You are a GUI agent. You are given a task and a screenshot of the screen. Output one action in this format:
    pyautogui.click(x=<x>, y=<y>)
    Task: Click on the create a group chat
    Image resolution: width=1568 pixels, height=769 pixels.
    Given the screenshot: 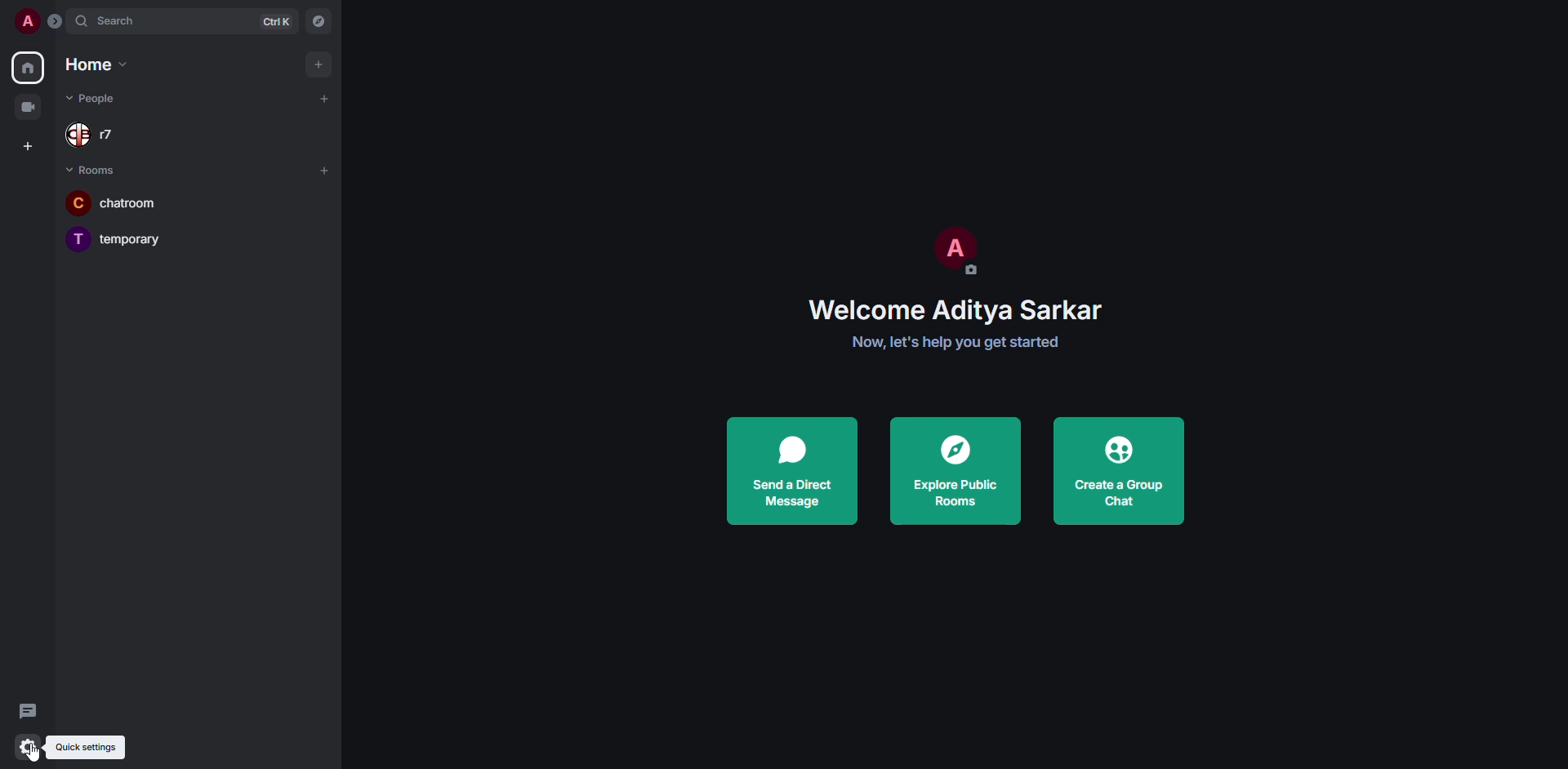 What is the action you would take?
    pyautogui.click(x=1119, y=472)
    